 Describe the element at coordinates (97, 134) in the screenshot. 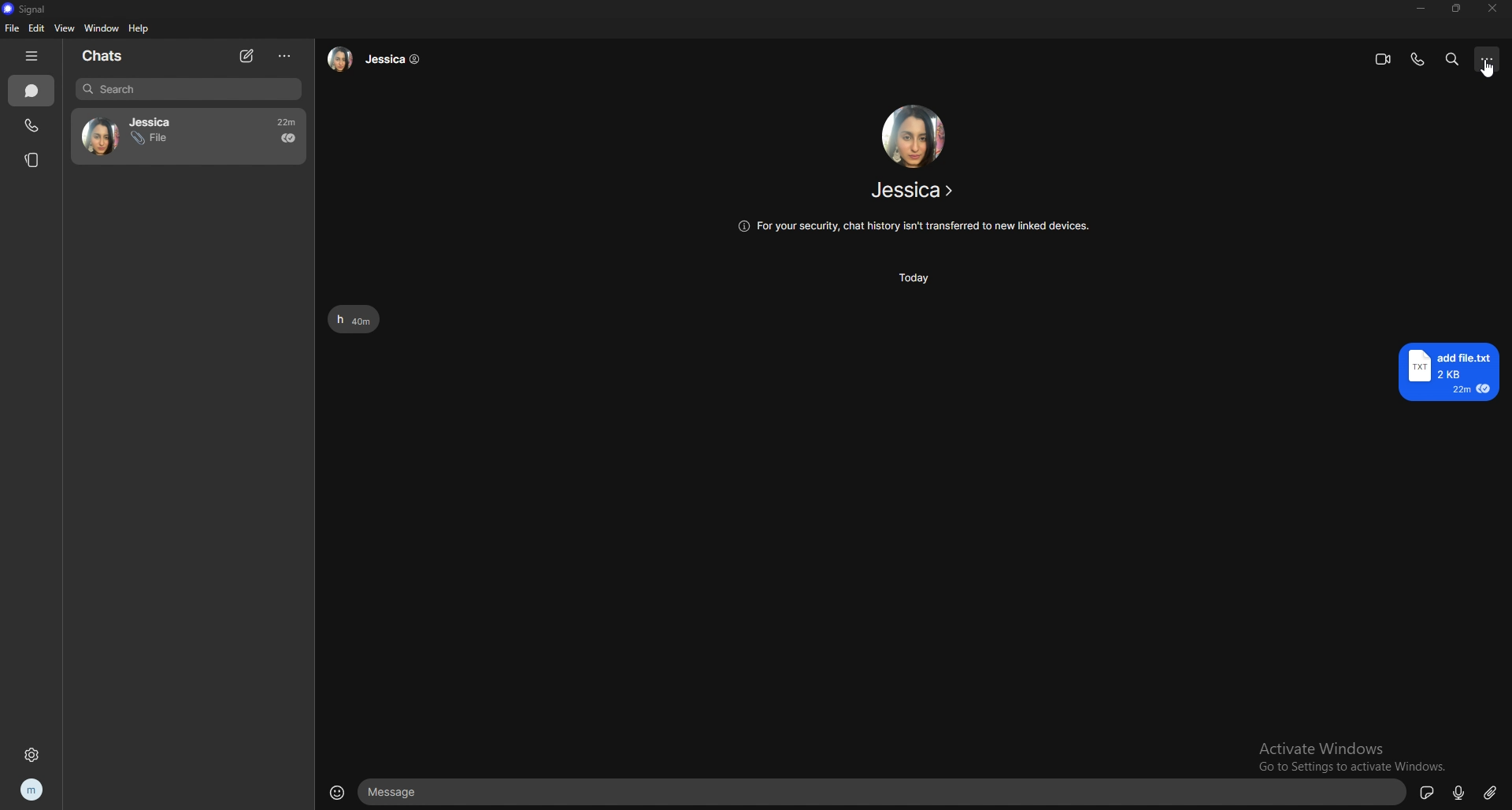

I see `avatar` at that location.